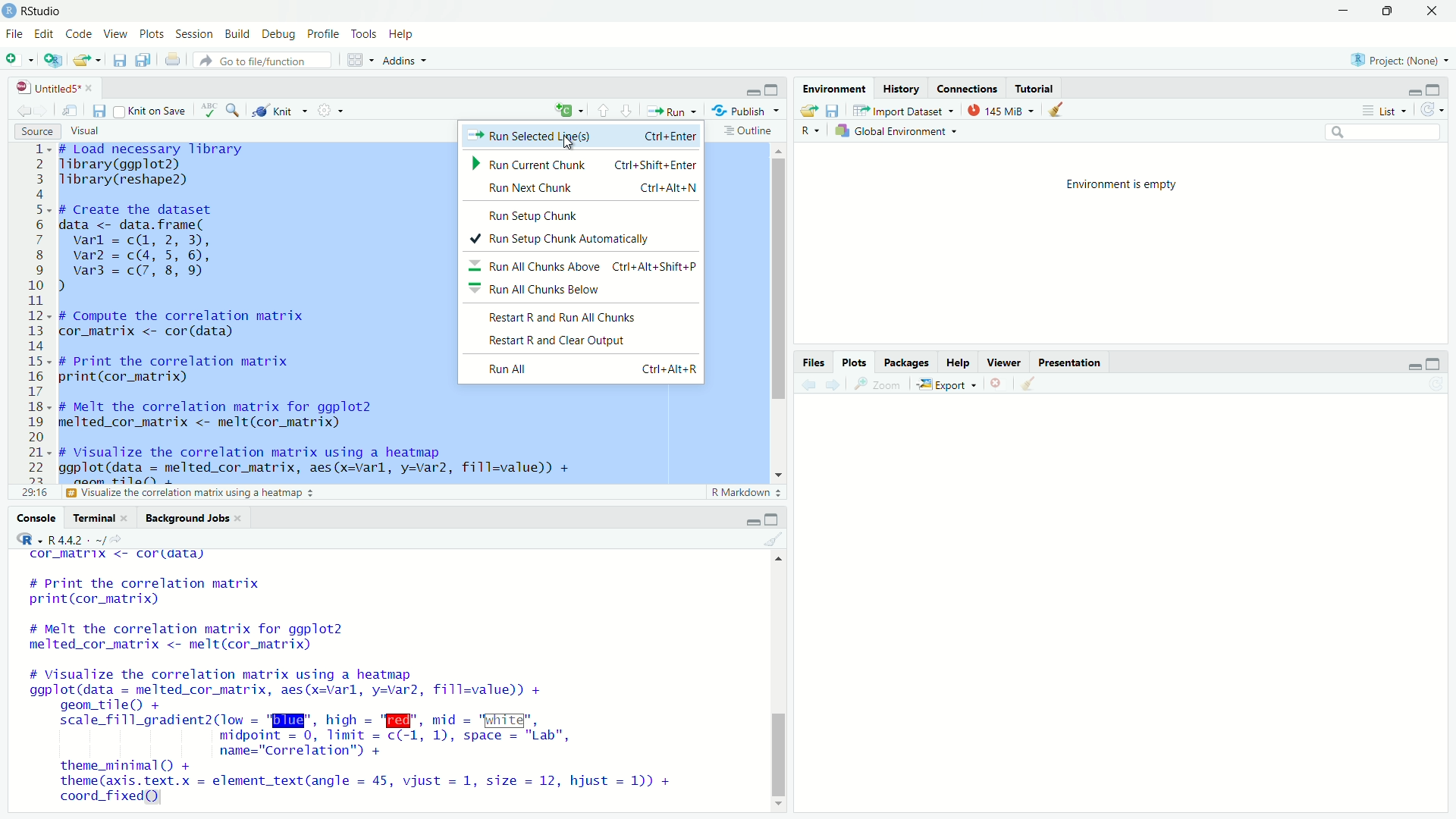 The width and height of the screenshot is (1456, 819). Describe the element at coordinates (581, 188) in the screenshot. I see `run next chunk` at that location.